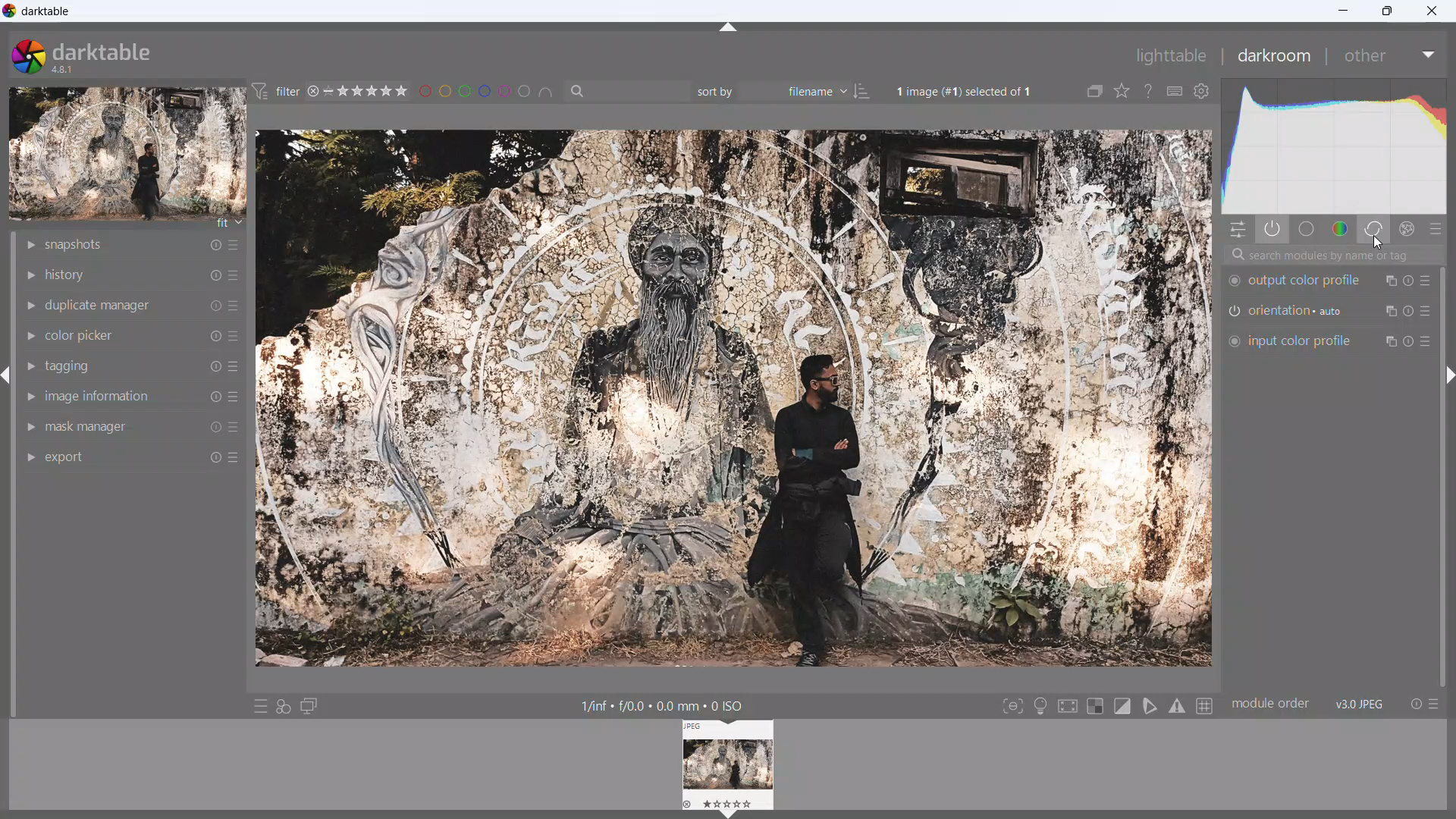 The image size is (1456, 819). I want to click on reset, so click(1409, 281).